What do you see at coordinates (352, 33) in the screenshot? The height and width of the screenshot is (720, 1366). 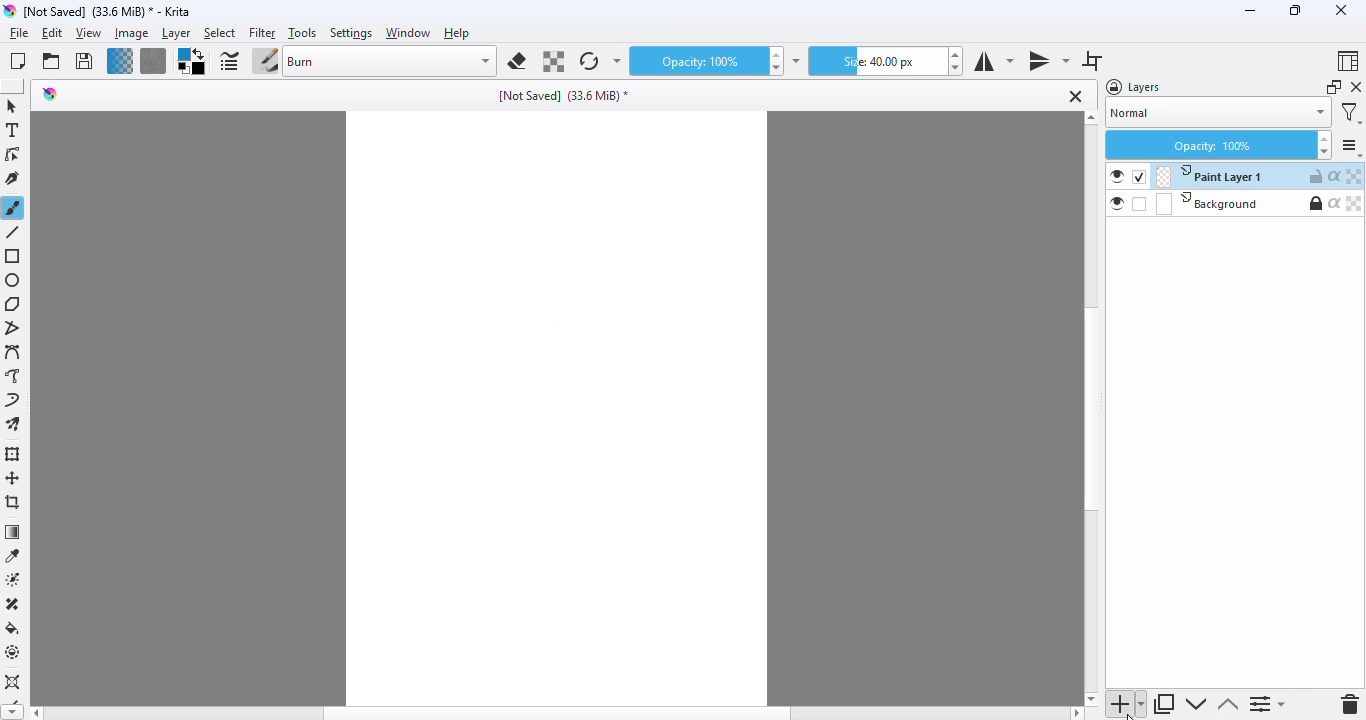 I see `settings` at bounding box center [352, 33].